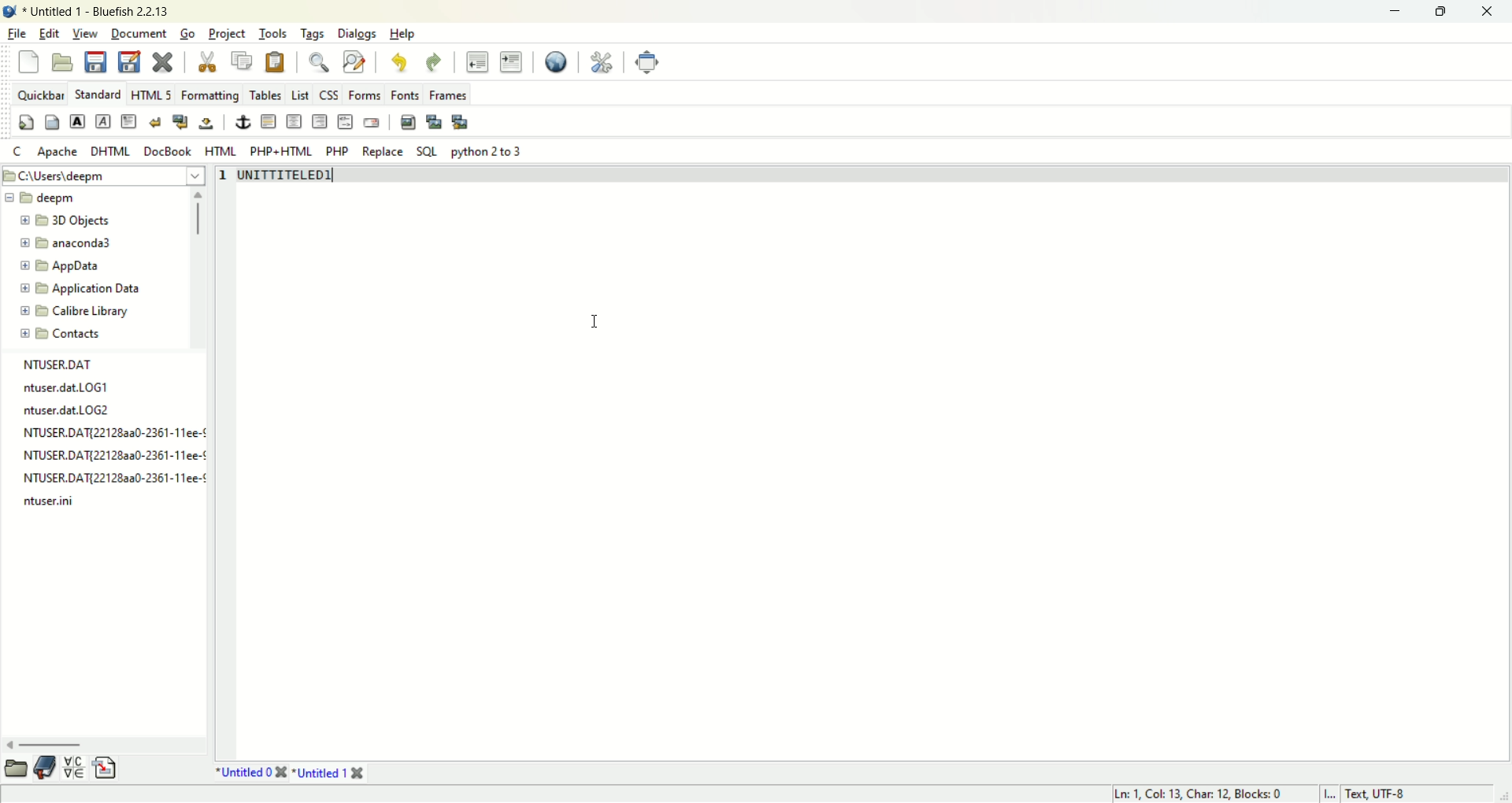 The height and width of the screenshot is (803, 1512). Describe the element at coordinates (14, 769) in the screenshot. I see `open` at that location.